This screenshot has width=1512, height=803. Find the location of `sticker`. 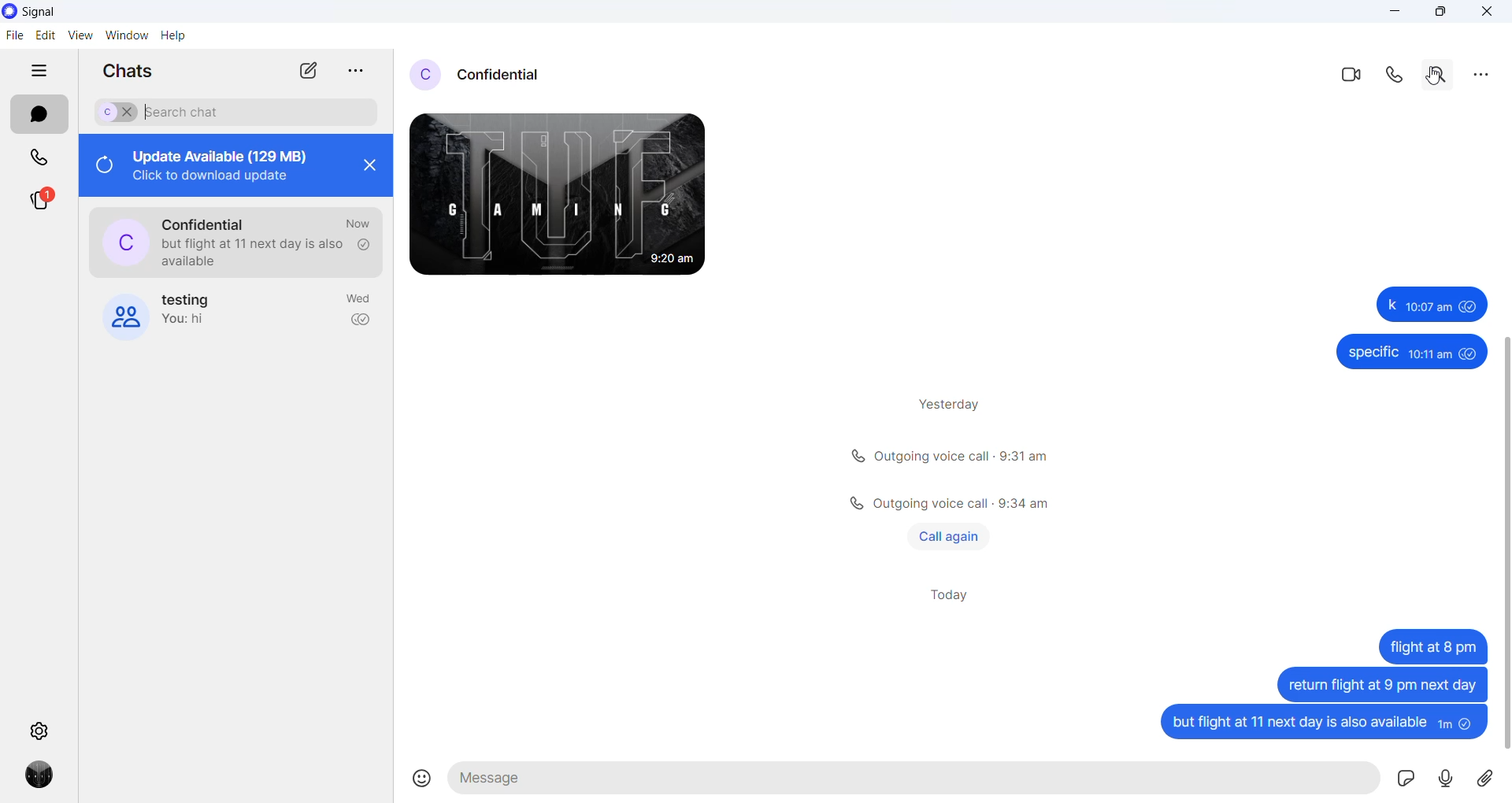

sticker is located at coordinates (1407, 780).